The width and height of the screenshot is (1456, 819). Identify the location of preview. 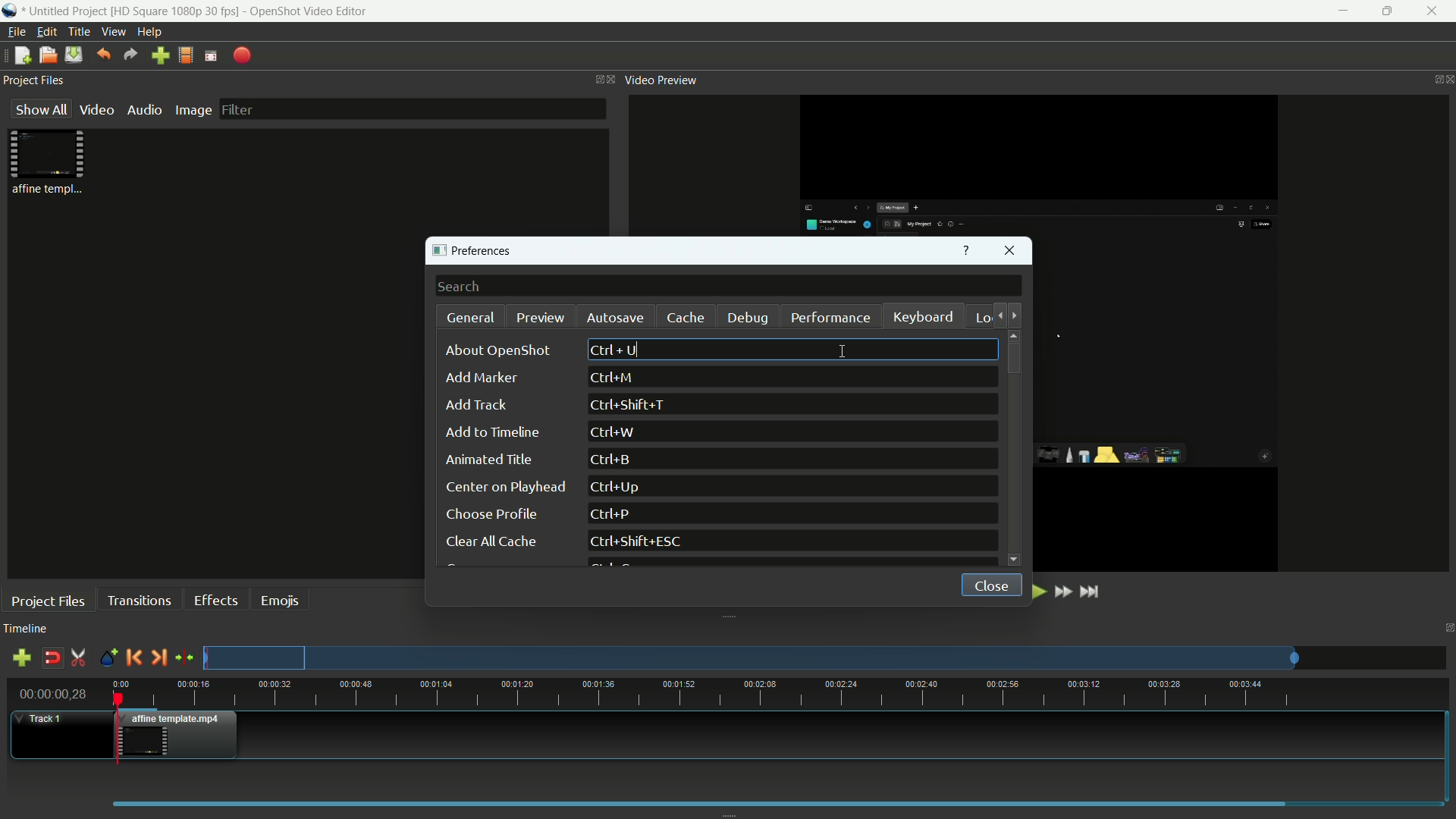
(541, 317).